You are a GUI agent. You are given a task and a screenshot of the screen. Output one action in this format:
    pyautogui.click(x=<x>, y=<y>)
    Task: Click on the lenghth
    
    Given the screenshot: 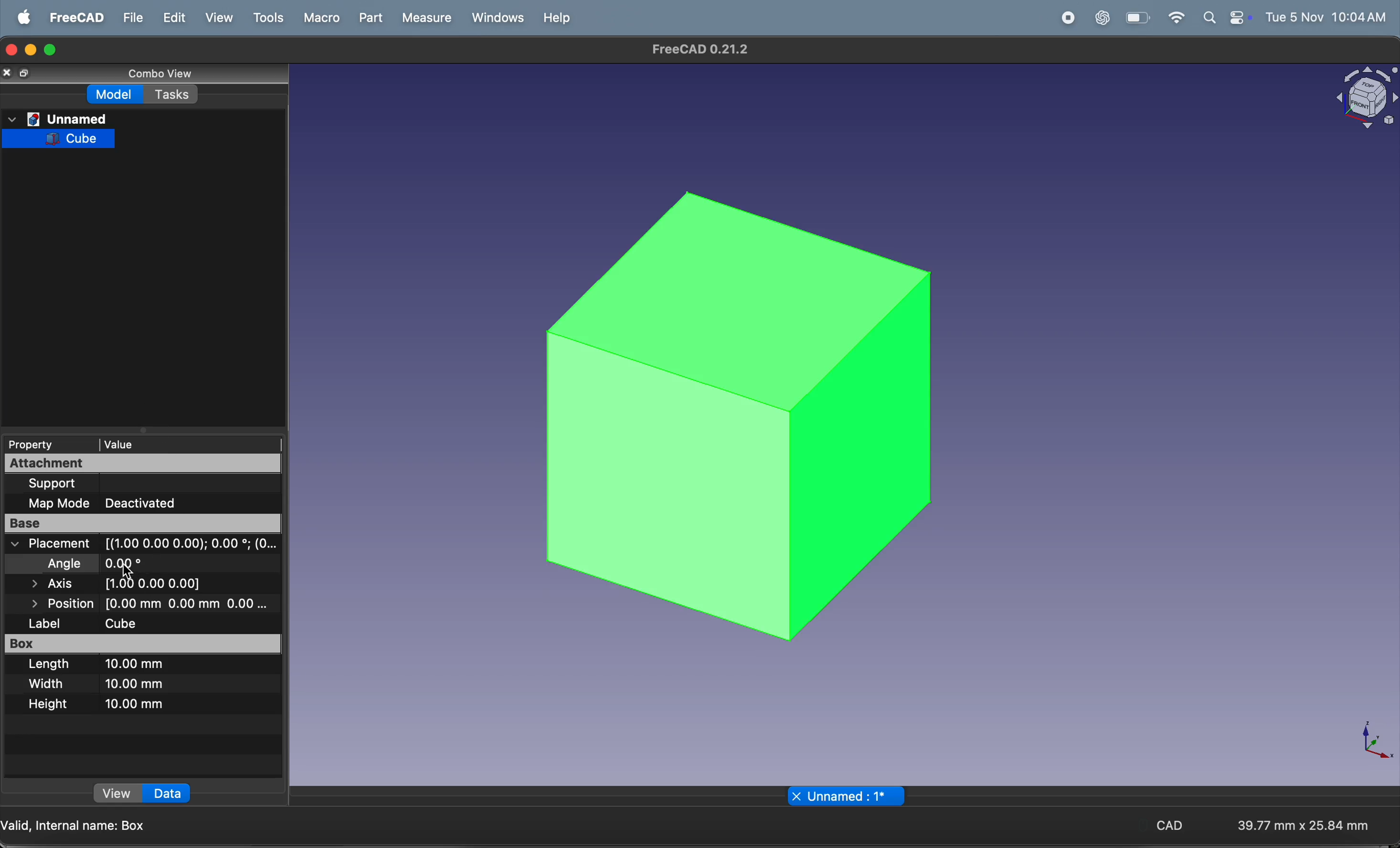 What is the action you would take?
    pyautogui.click(x=48, y=666)
    